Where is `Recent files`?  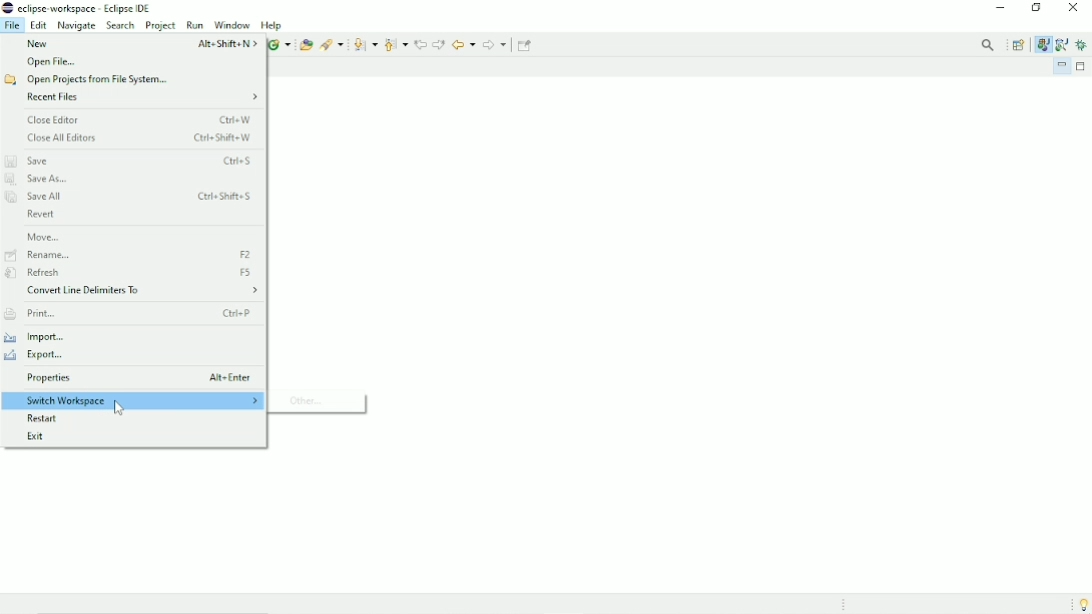 Recent files is located at coordinates (143, 98).